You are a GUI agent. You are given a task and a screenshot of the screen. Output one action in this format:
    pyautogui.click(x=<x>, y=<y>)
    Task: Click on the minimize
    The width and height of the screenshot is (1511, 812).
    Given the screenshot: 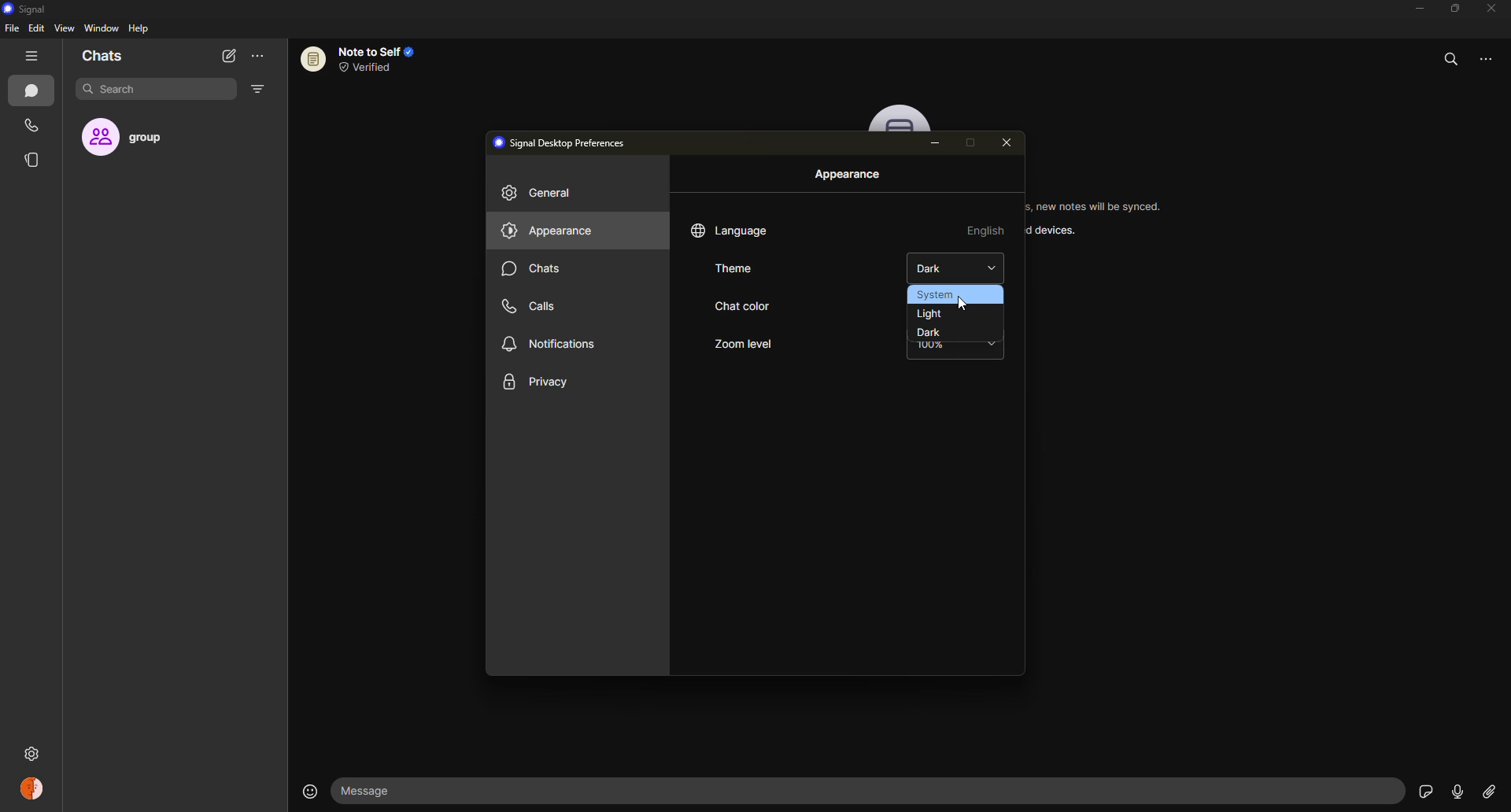 What is the action you would take?
    pyautogui.click(x=937, y=142)
    